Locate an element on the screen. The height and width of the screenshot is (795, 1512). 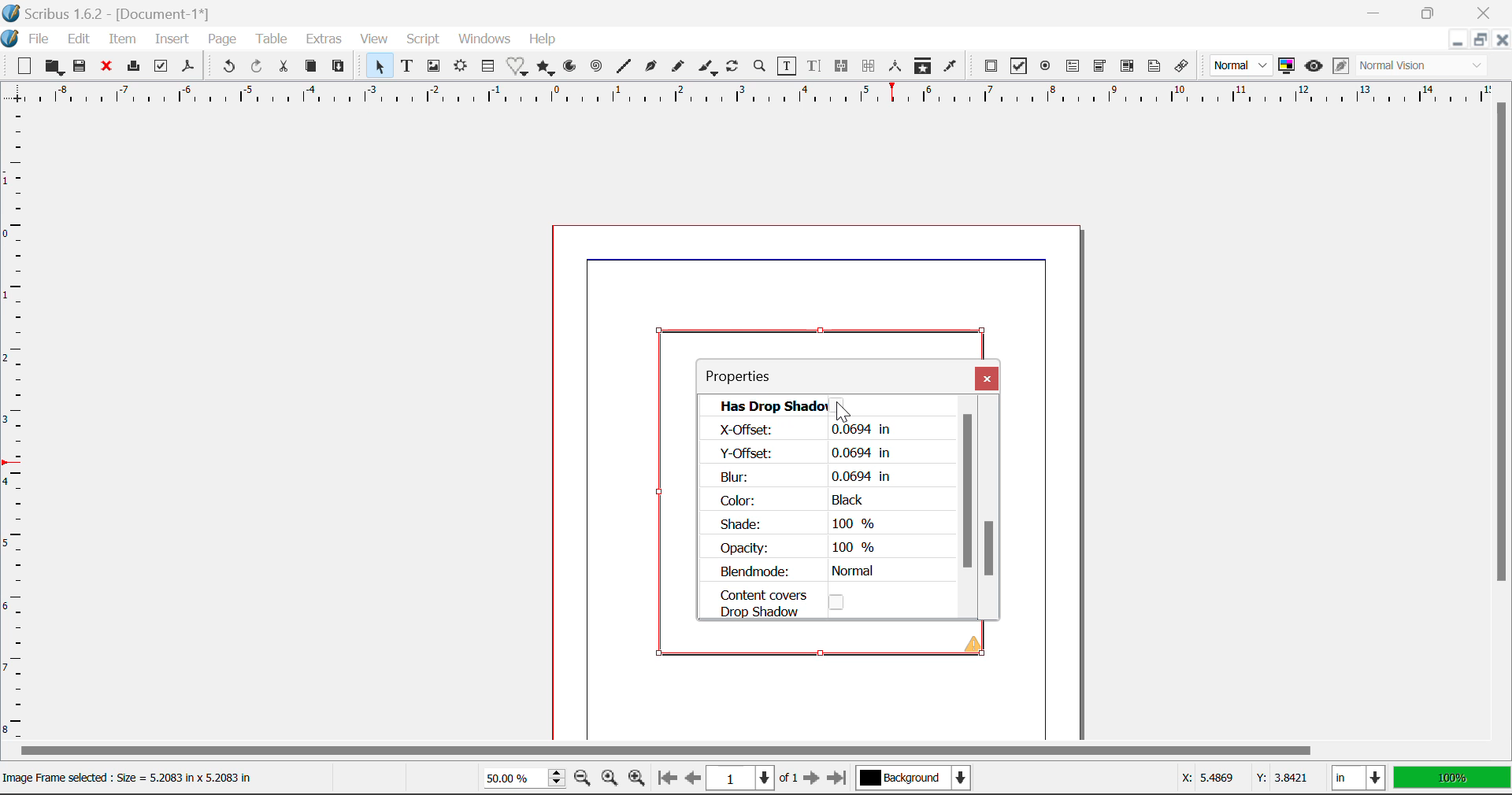
| X-Offset: 0.0694 in is located at coordinates (802, 430).